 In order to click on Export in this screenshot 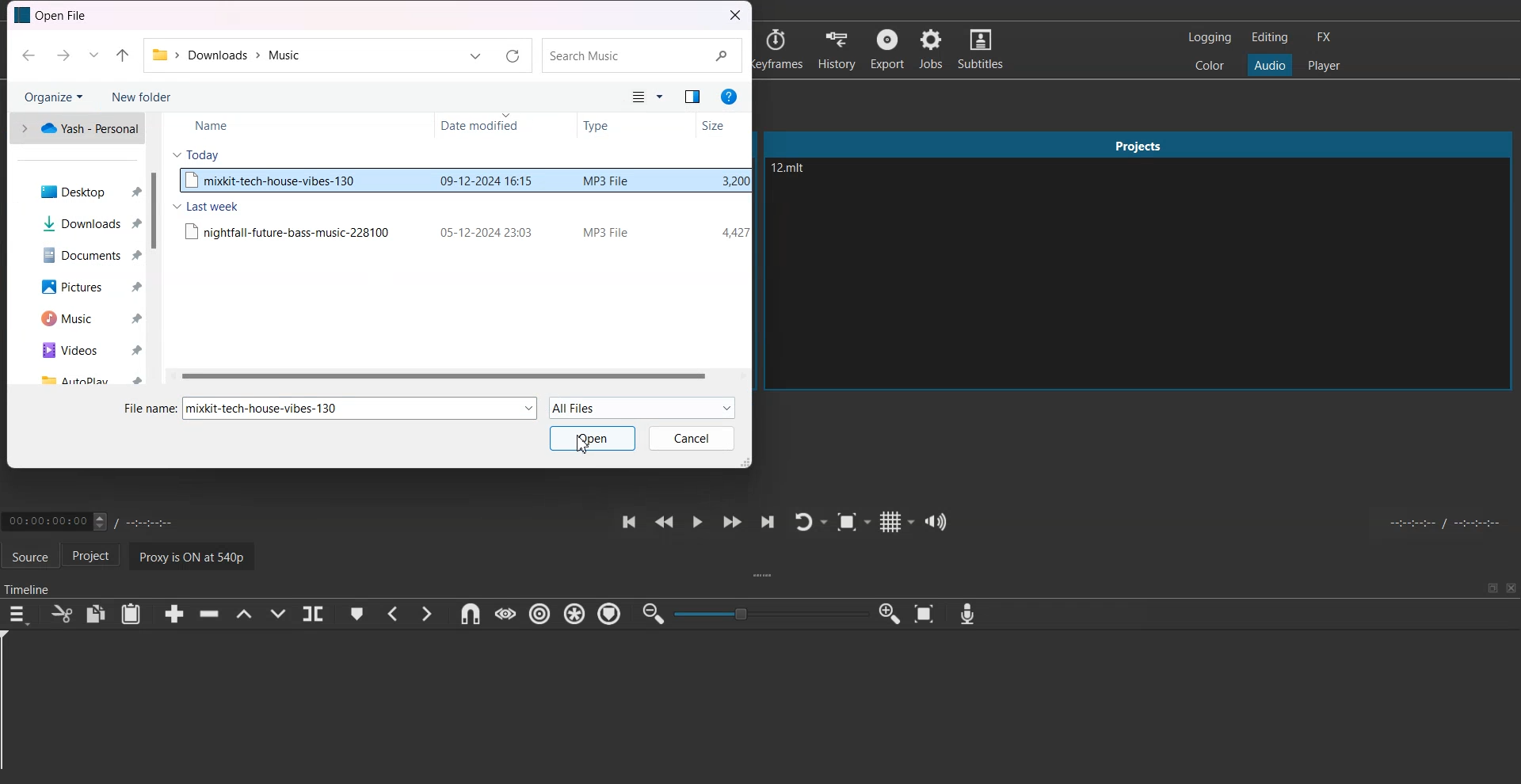, I will do `click(888, 48)`.